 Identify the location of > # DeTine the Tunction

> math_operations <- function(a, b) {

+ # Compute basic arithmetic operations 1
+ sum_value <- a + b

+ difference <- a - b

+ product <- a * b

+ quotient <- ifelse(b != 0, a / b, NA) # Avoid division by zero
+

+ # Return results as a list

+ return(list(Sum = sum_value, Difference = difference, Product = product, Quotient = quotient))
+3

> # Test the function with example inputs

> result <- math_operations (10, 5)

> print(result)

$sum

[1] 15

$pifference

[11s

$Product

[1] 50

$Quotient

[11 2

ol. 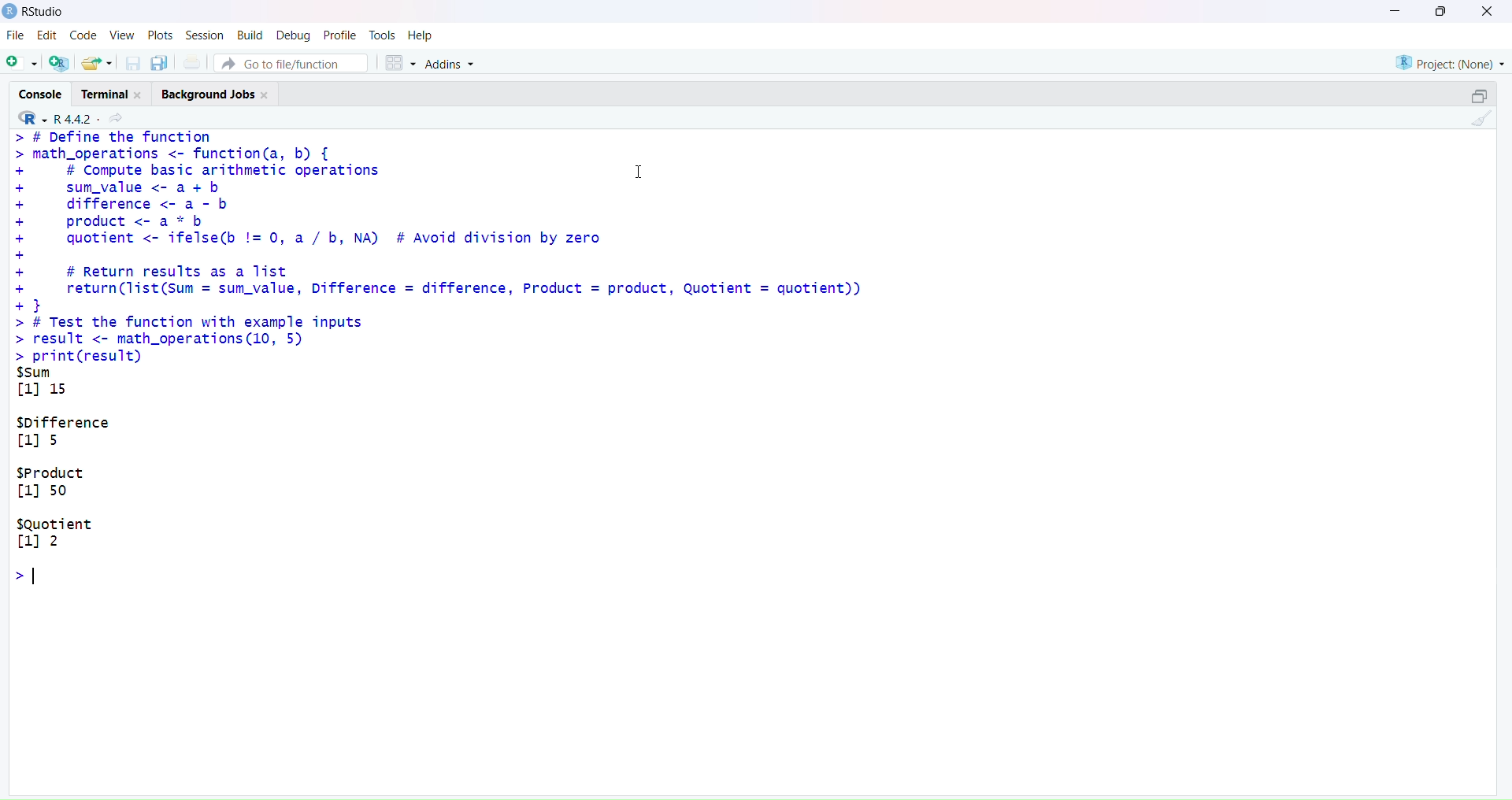
(465, 358).